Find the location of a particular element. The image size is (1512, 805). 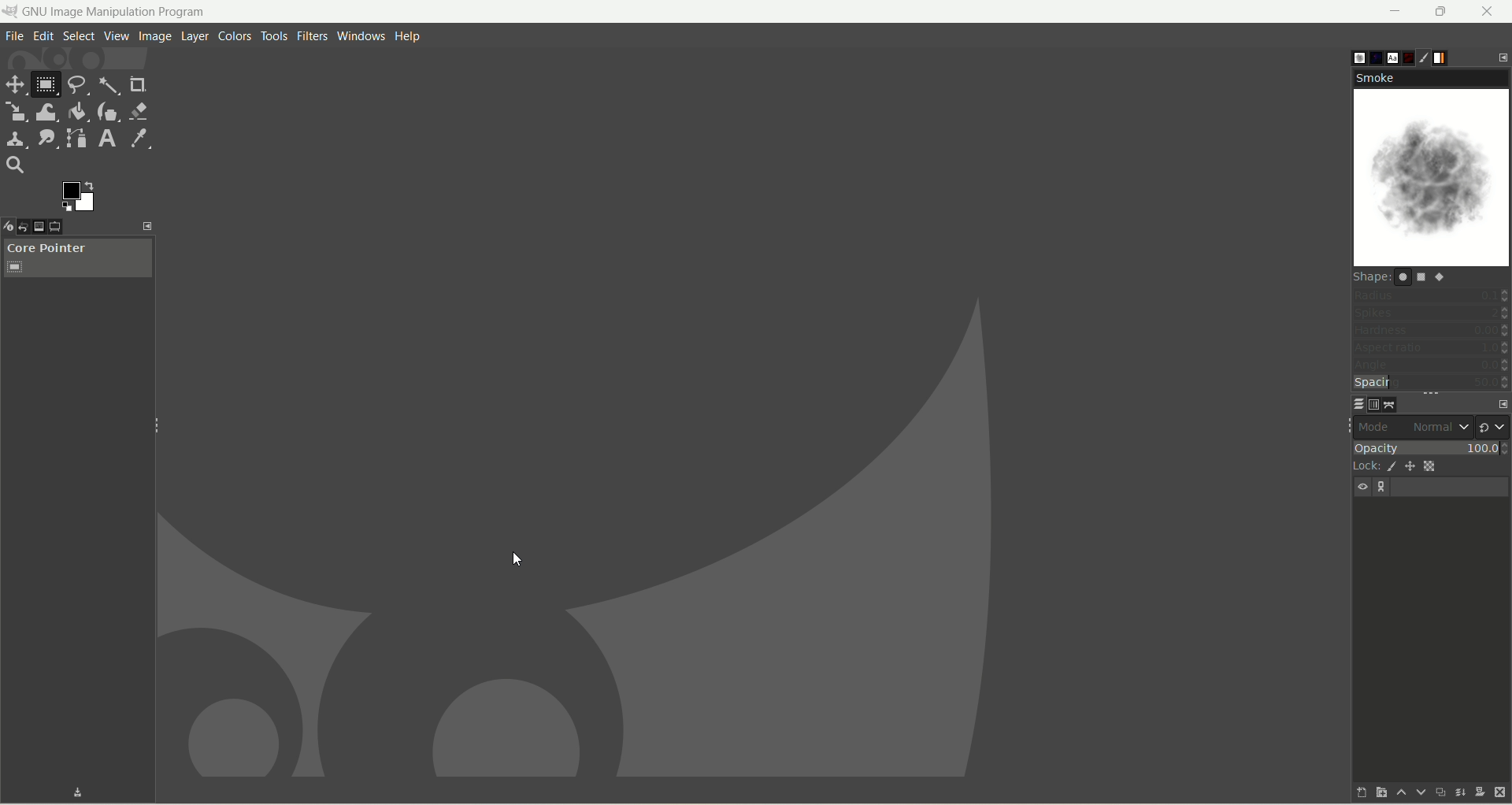

document history is located at coordinates (1410, 54).